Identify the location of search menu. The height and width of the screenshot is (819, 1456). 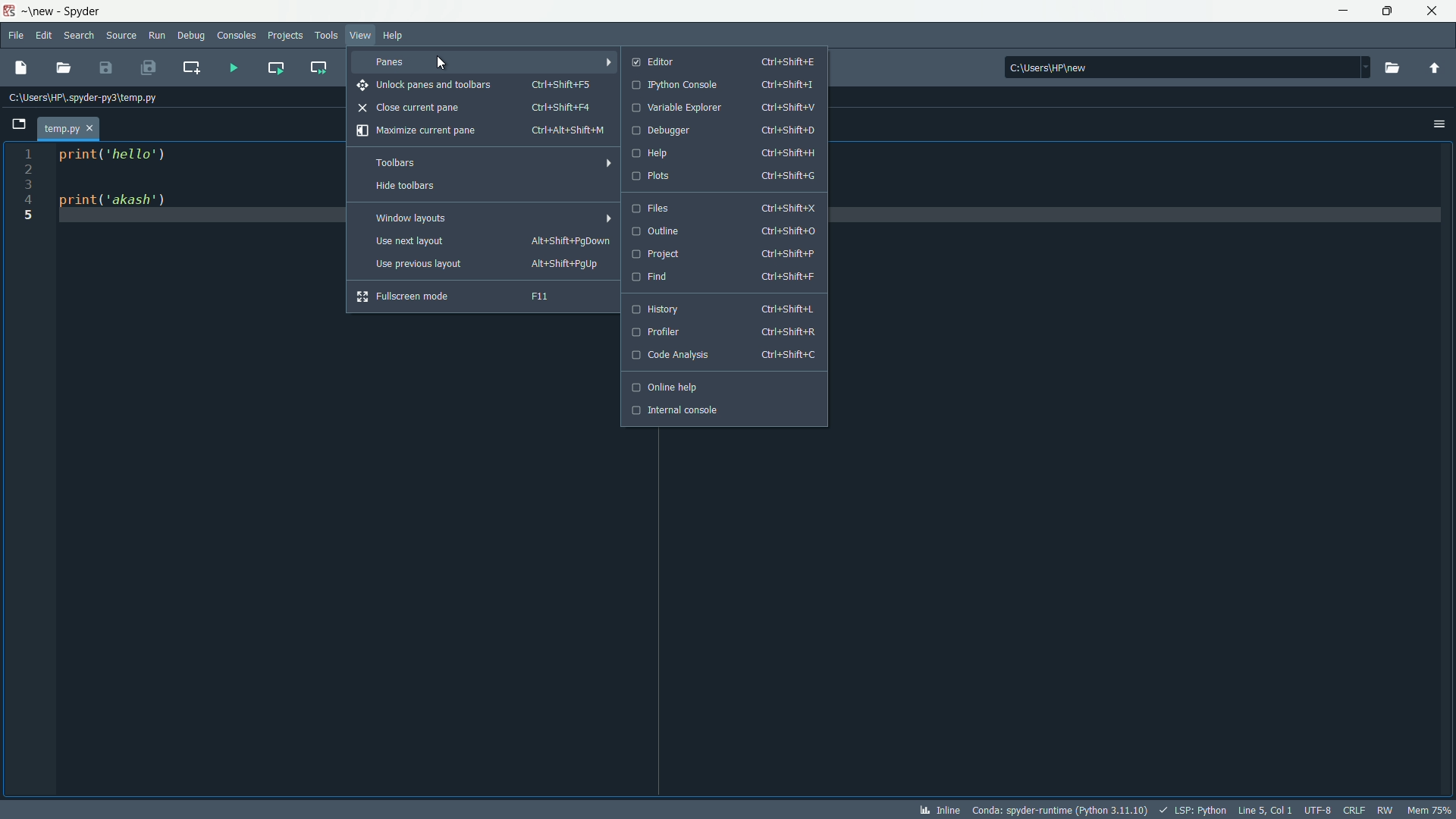
(81, 36).